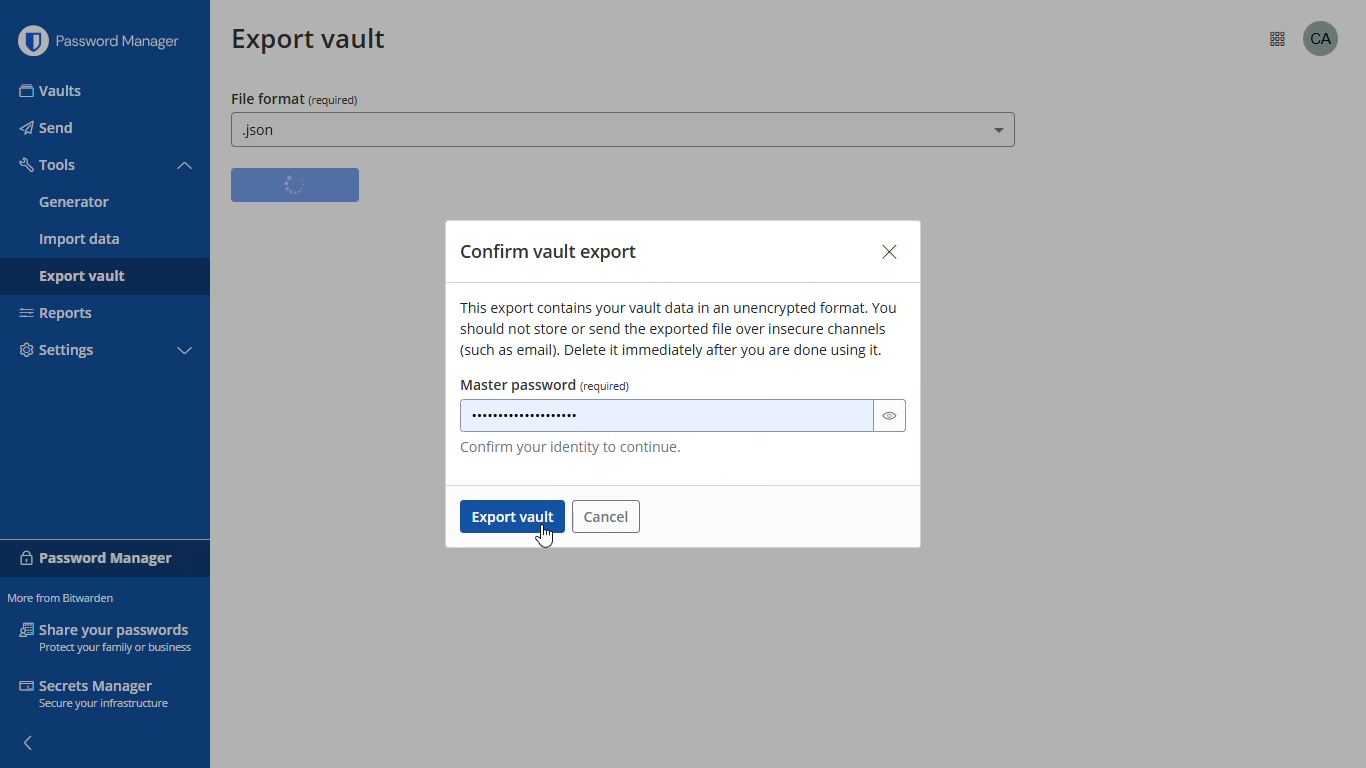 This screenshot has width=1366, height=768. What do you see at coordinates (610, 517) in the screenshot?
I see `cancel` at bounding box center [610, 517].